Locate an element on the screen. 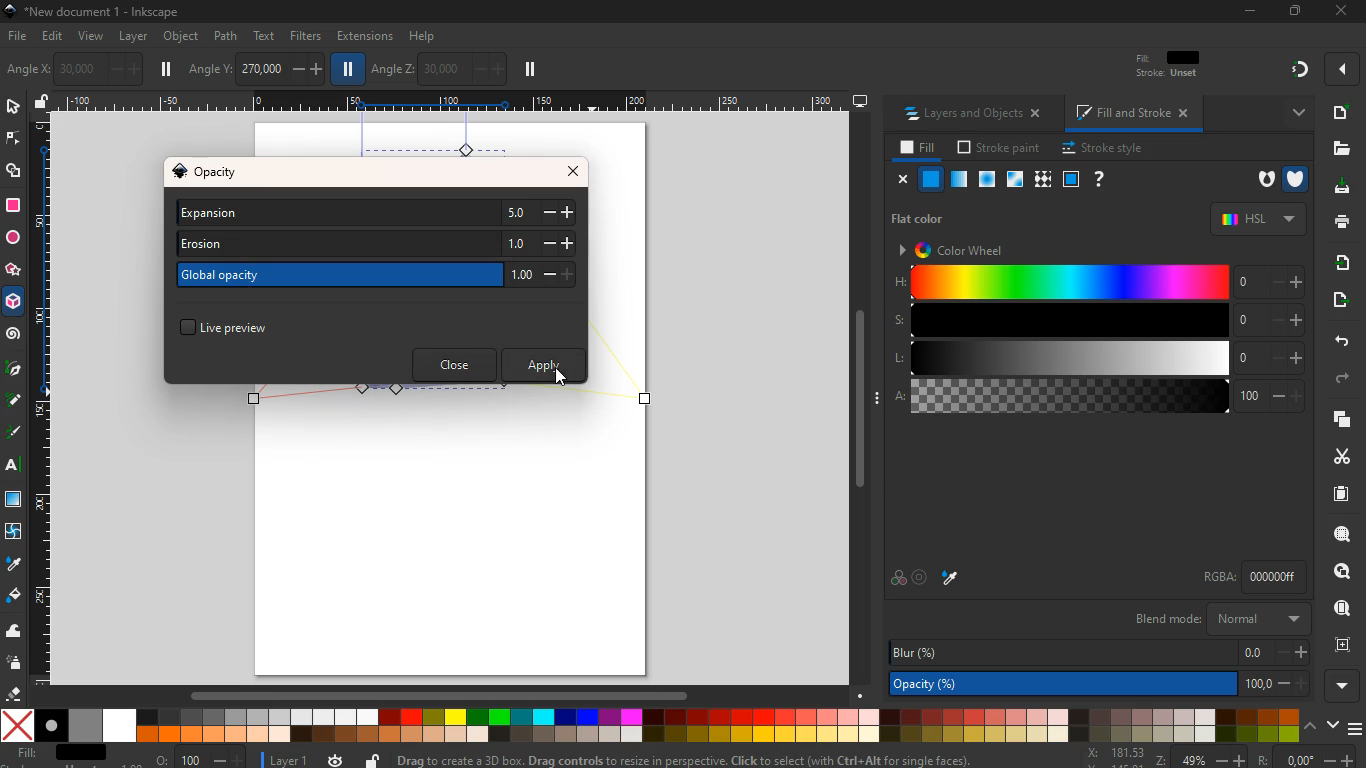 This screenshot has width=1366, height=768. new is located at coordinates (1340, 112).